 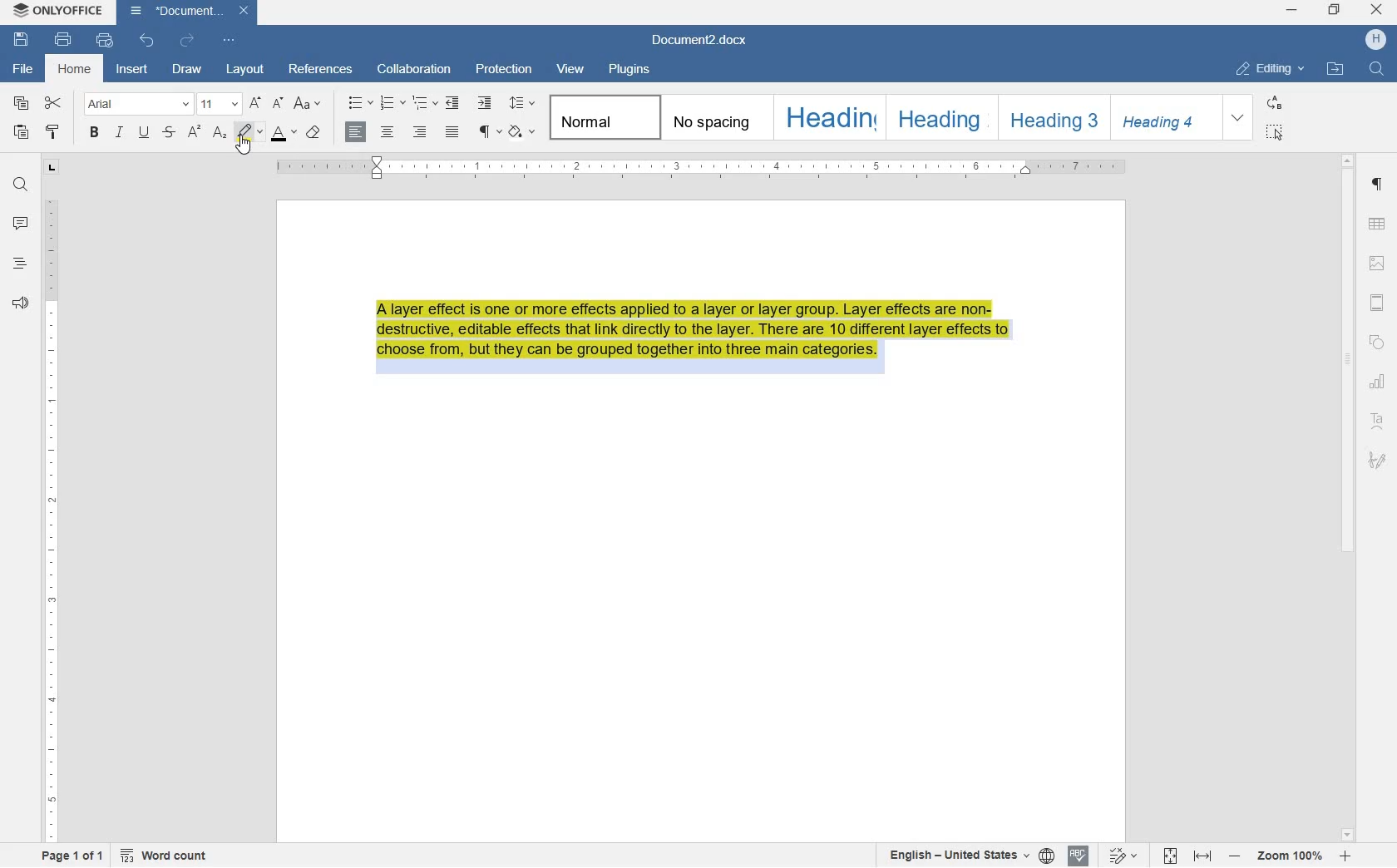 I want to click on text art, so click(x=1377, y=422).